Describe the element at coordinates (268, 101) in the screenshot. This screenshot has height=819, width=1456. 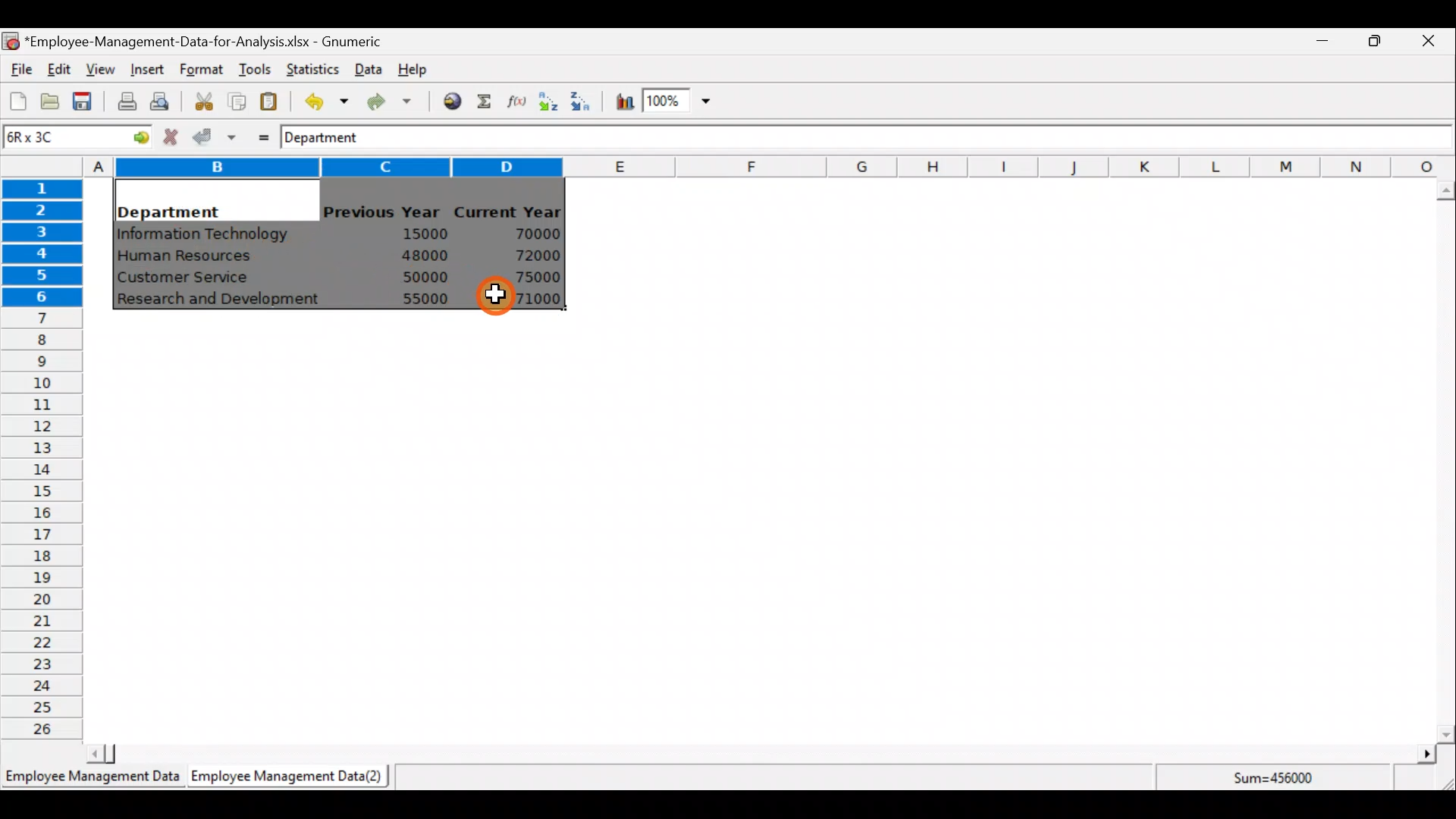
I see `Paste the clipboard` at that location.